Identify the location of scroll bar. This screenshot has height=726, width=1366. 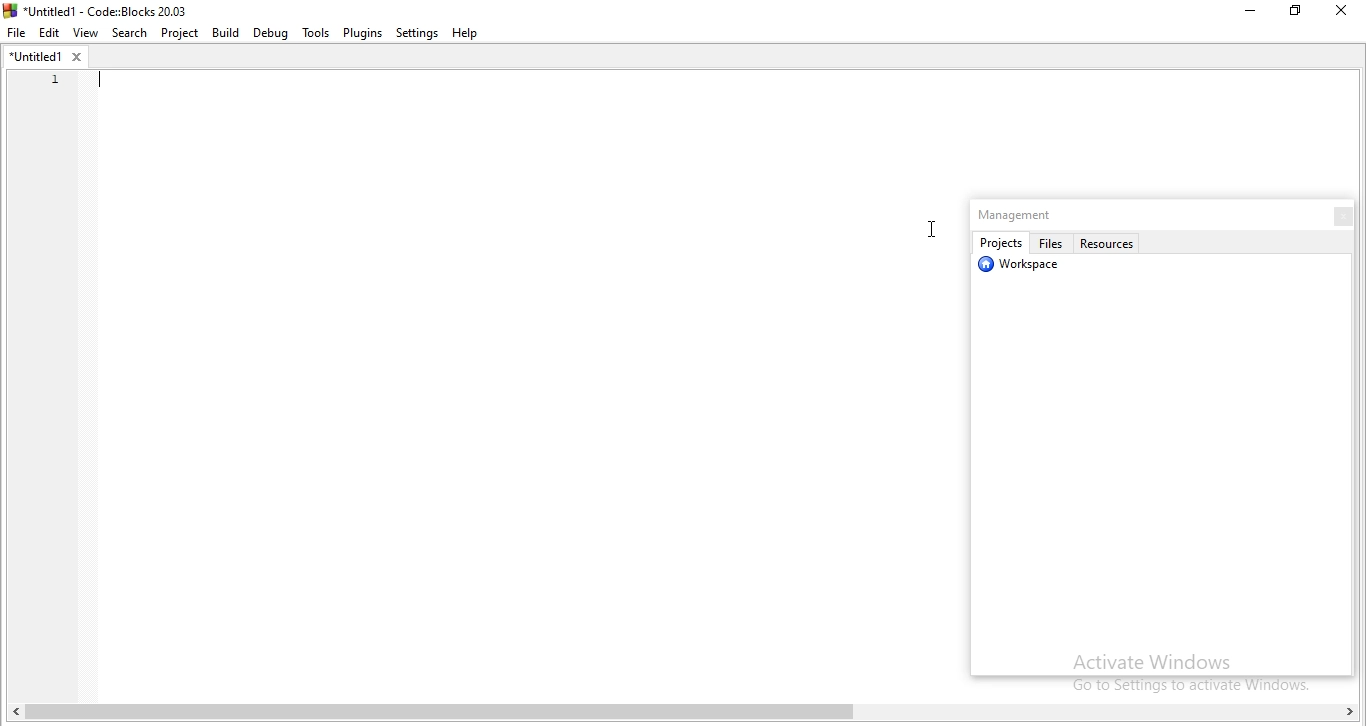
(688, 714).